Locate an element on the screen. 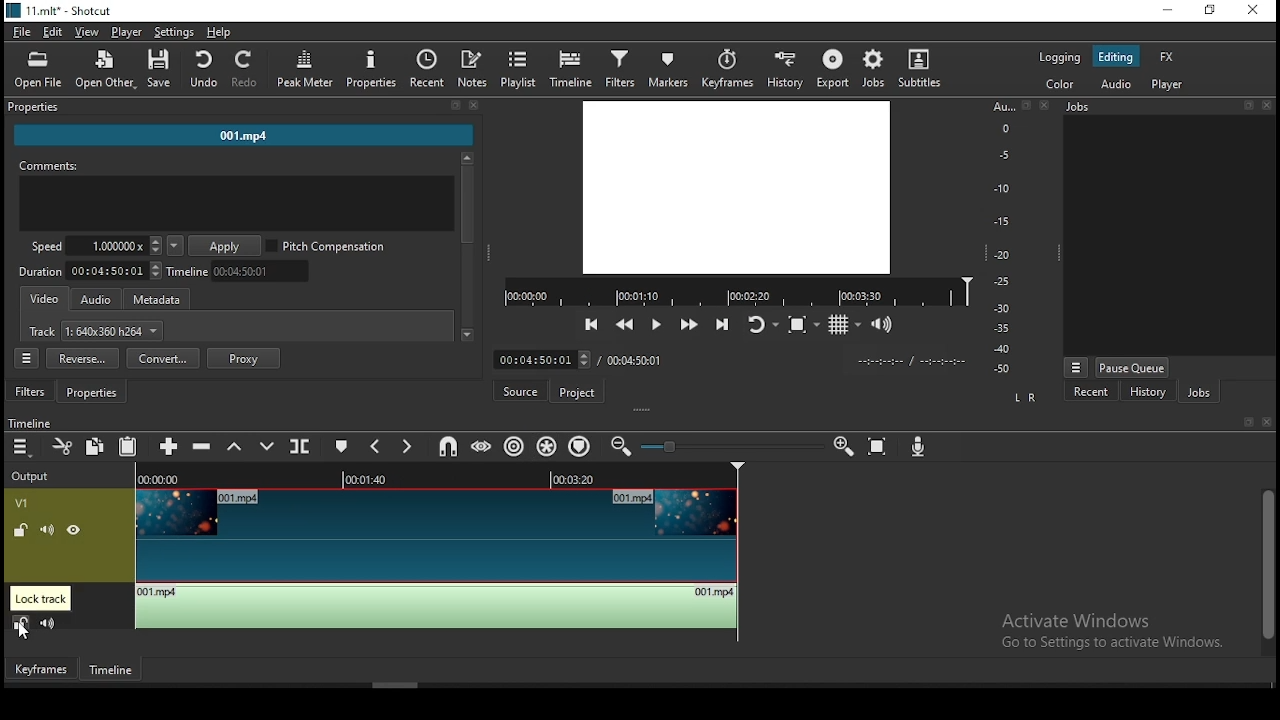 This screenshot has width=1280, height=720. peak meter is located at coordinates (303, 68).